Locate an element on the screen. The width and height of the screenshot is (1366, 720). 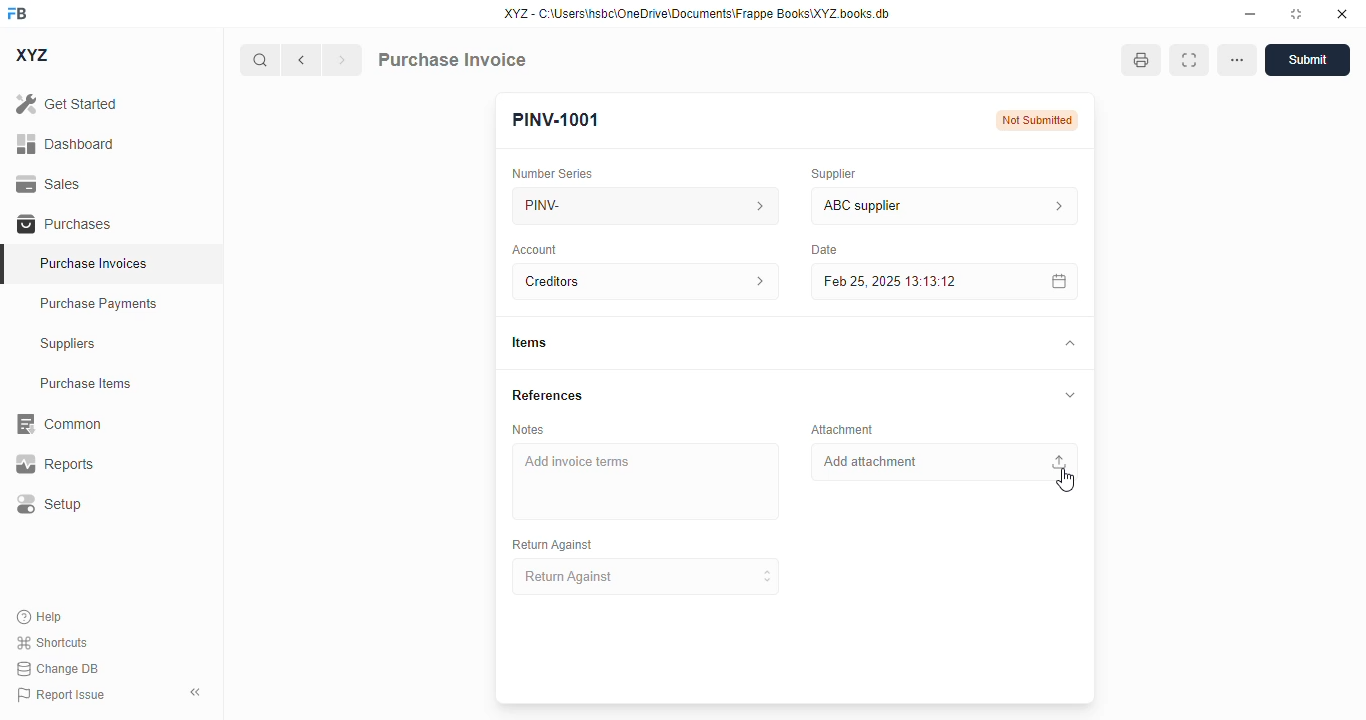
suppliers is located at coordinates (69, 344).